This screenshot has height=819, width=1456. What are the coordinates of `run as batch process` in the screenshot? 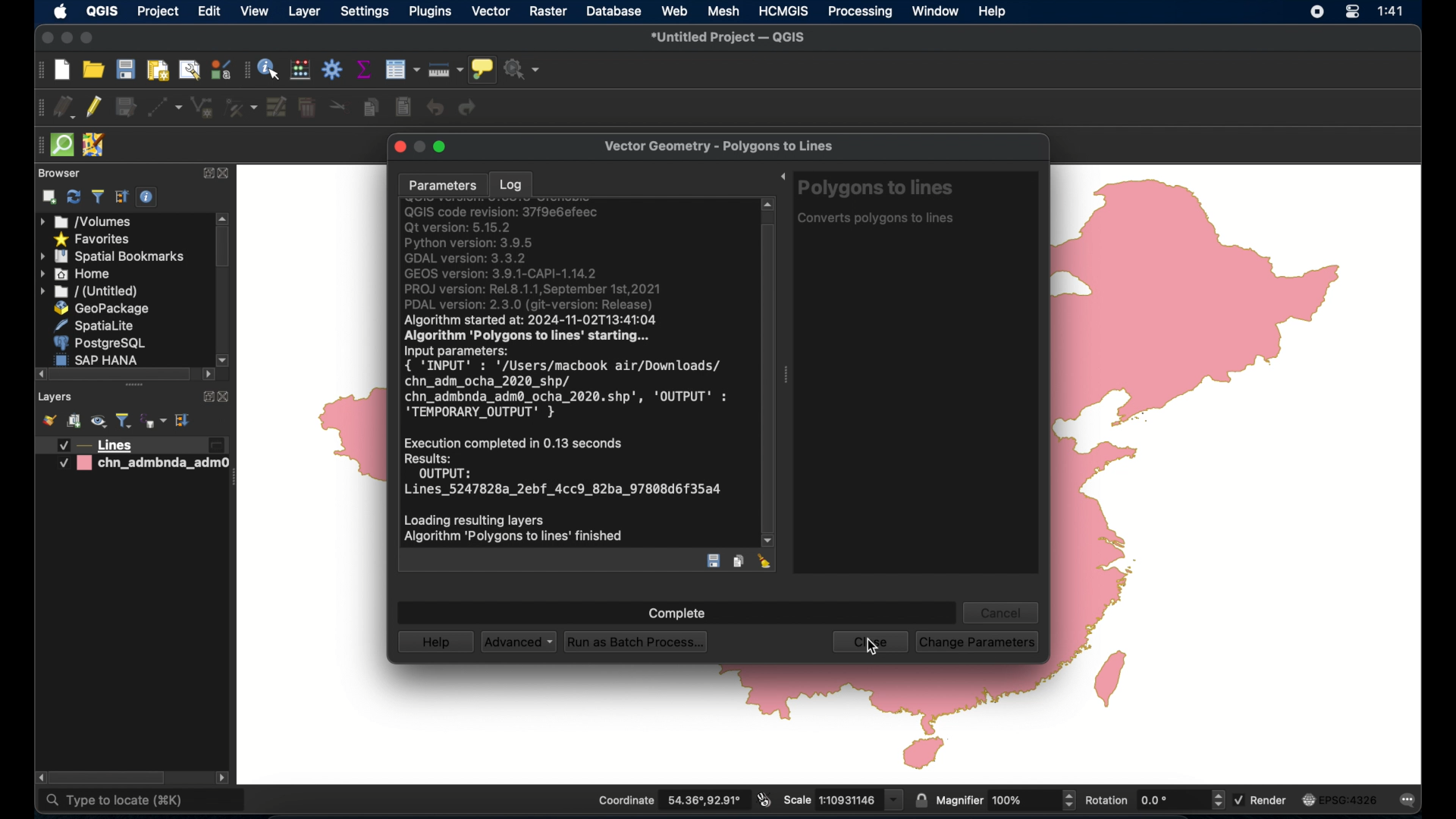 It's located at (639, 642).